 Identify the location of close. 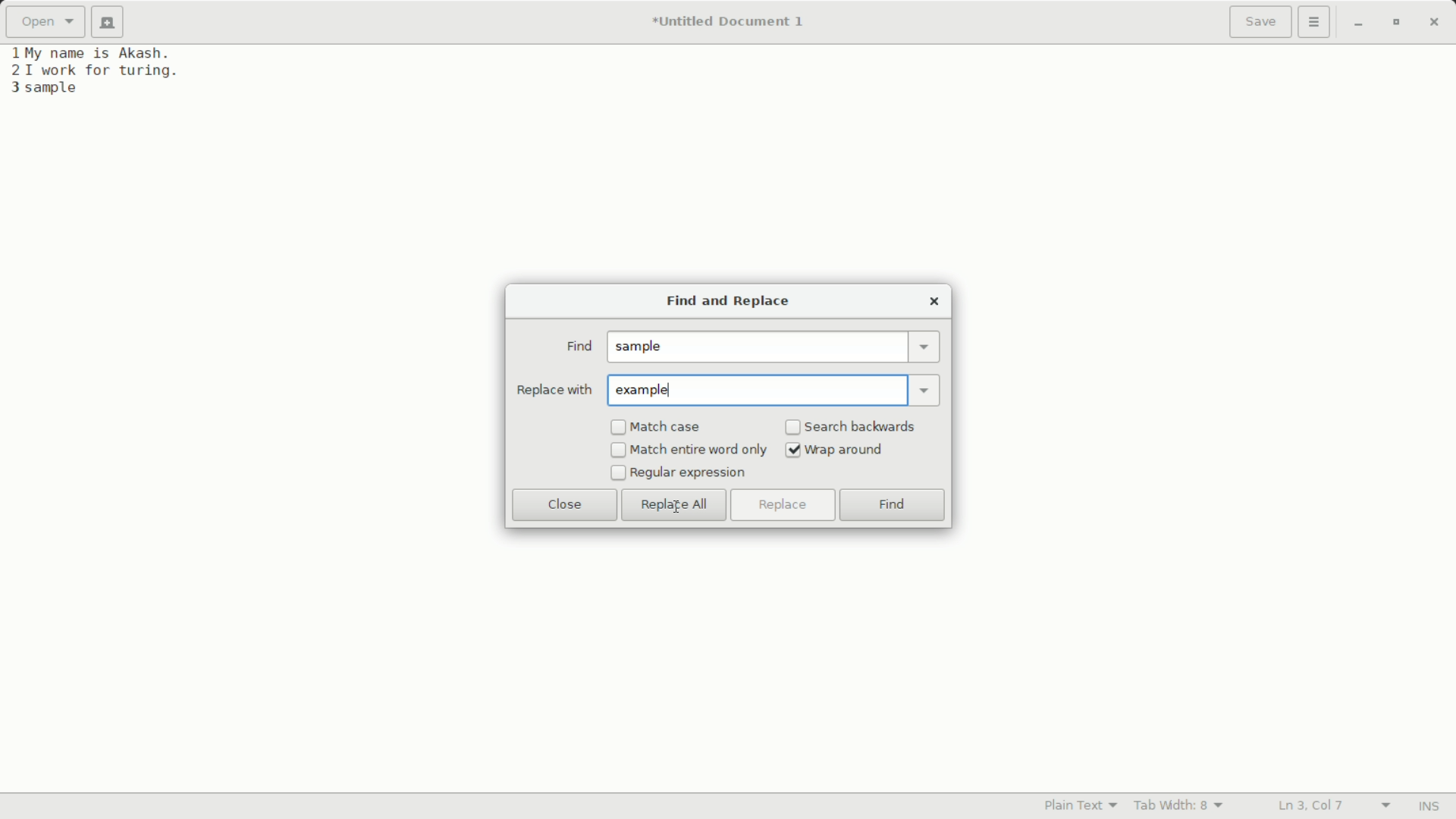
(565, 504).